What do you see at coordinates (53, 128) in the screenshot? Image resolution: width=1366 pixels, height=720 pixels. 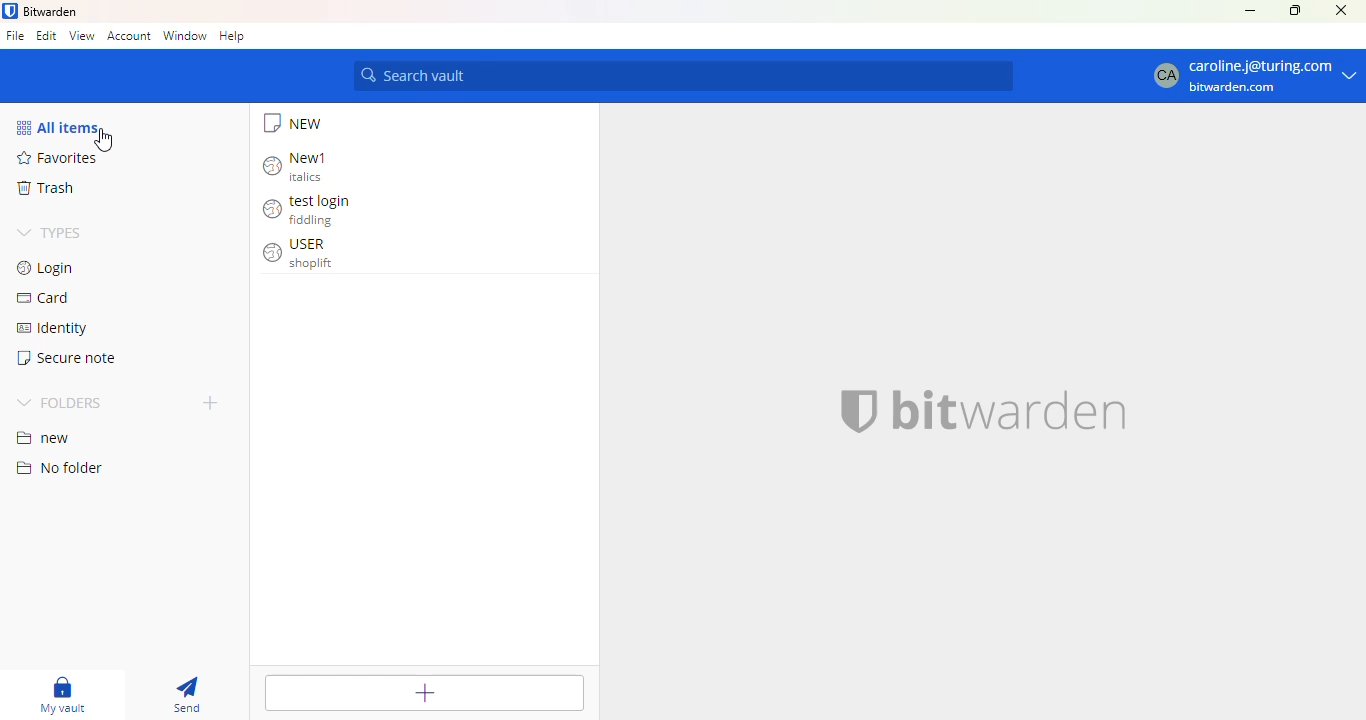 I see `all items` at bounding box center [53, 128].